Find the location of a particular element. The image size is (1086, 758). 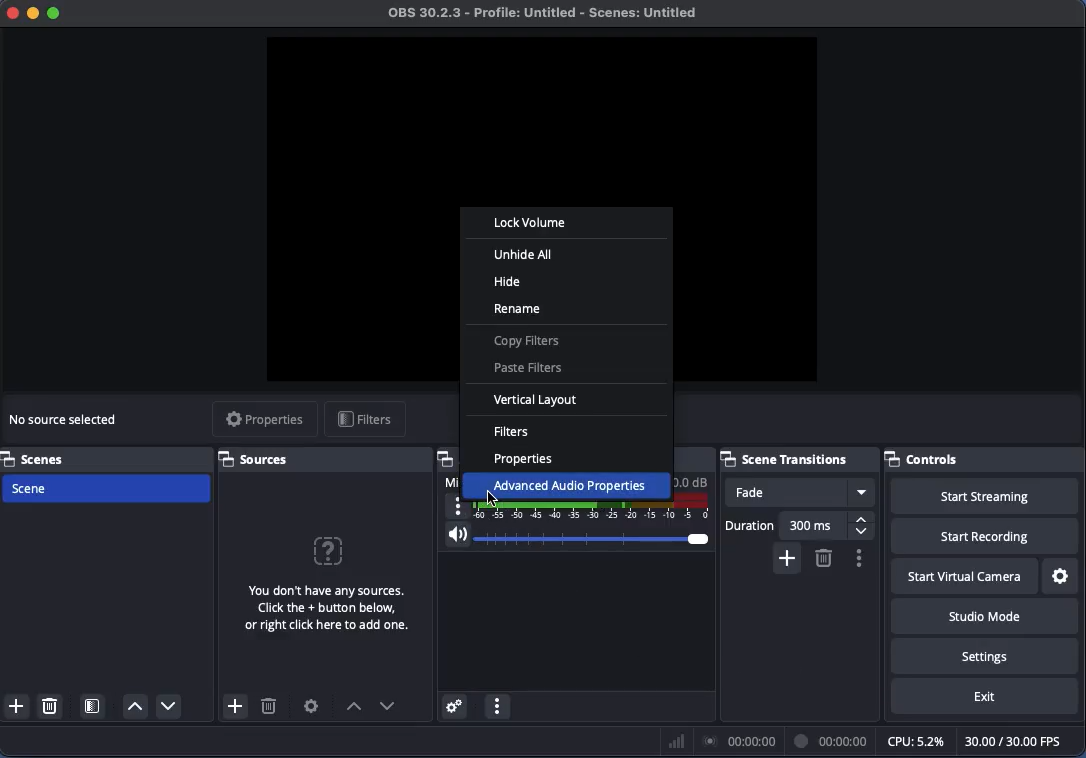

Audio mixer menu is located at coordinates (497, 707).